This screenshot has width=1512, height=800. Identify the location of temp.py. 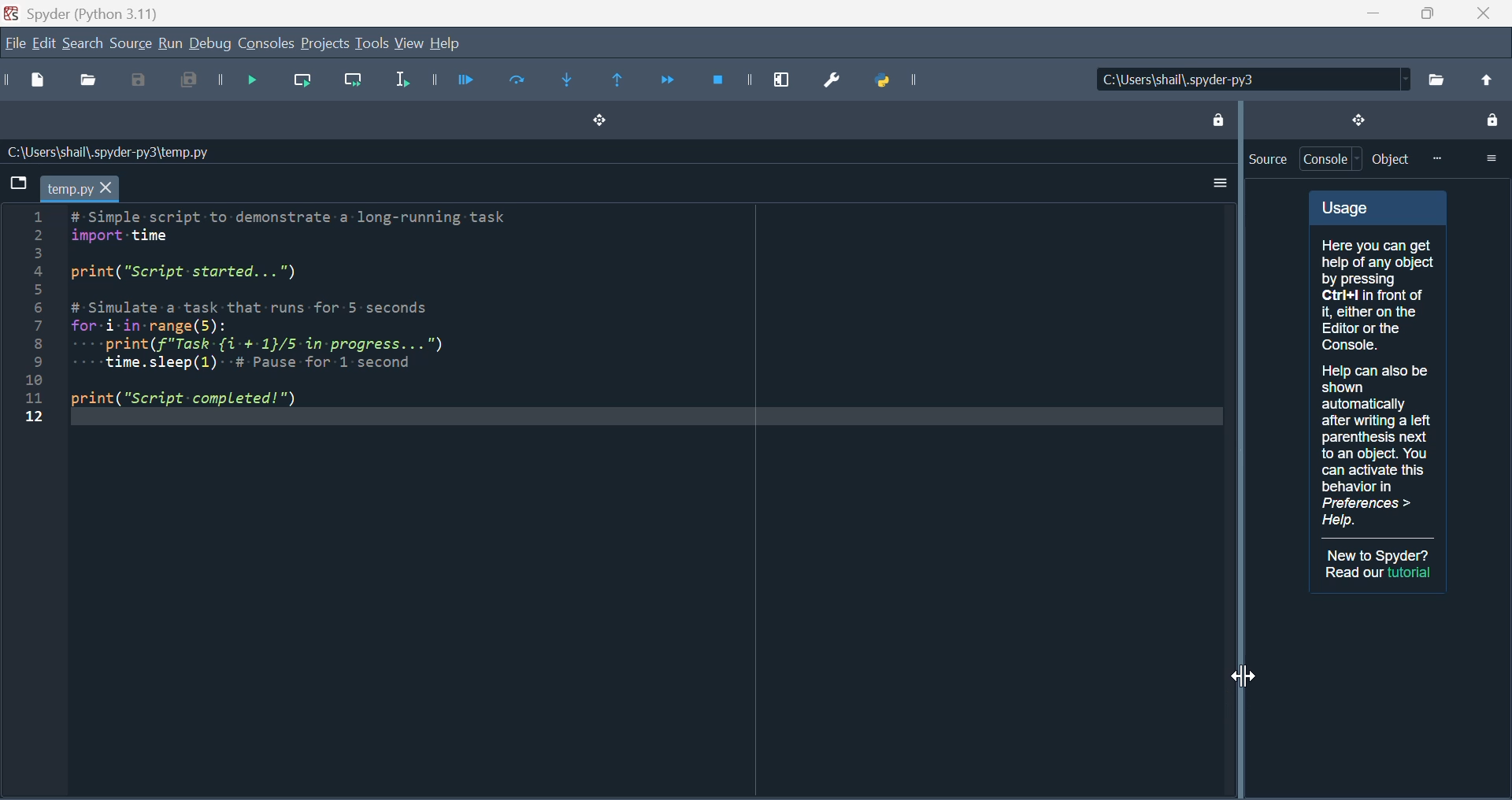
(80, 188).